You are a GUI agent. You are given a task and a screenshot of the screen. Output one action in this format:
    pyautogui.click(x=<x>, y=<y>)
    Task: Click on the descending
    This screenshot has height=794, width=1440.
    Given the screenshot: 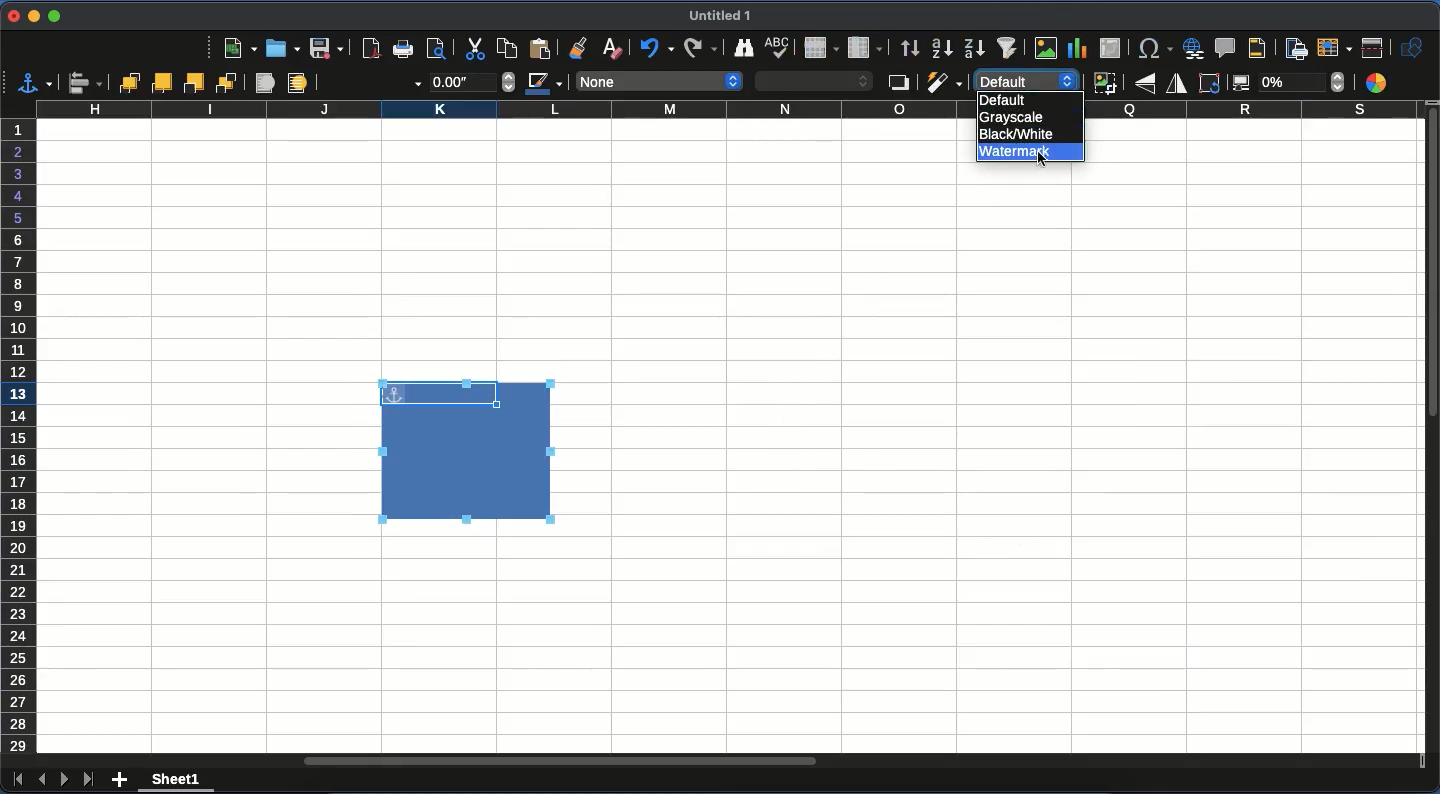 What is the action you would take?
    pyautogui.click(x=974, y=48)
    